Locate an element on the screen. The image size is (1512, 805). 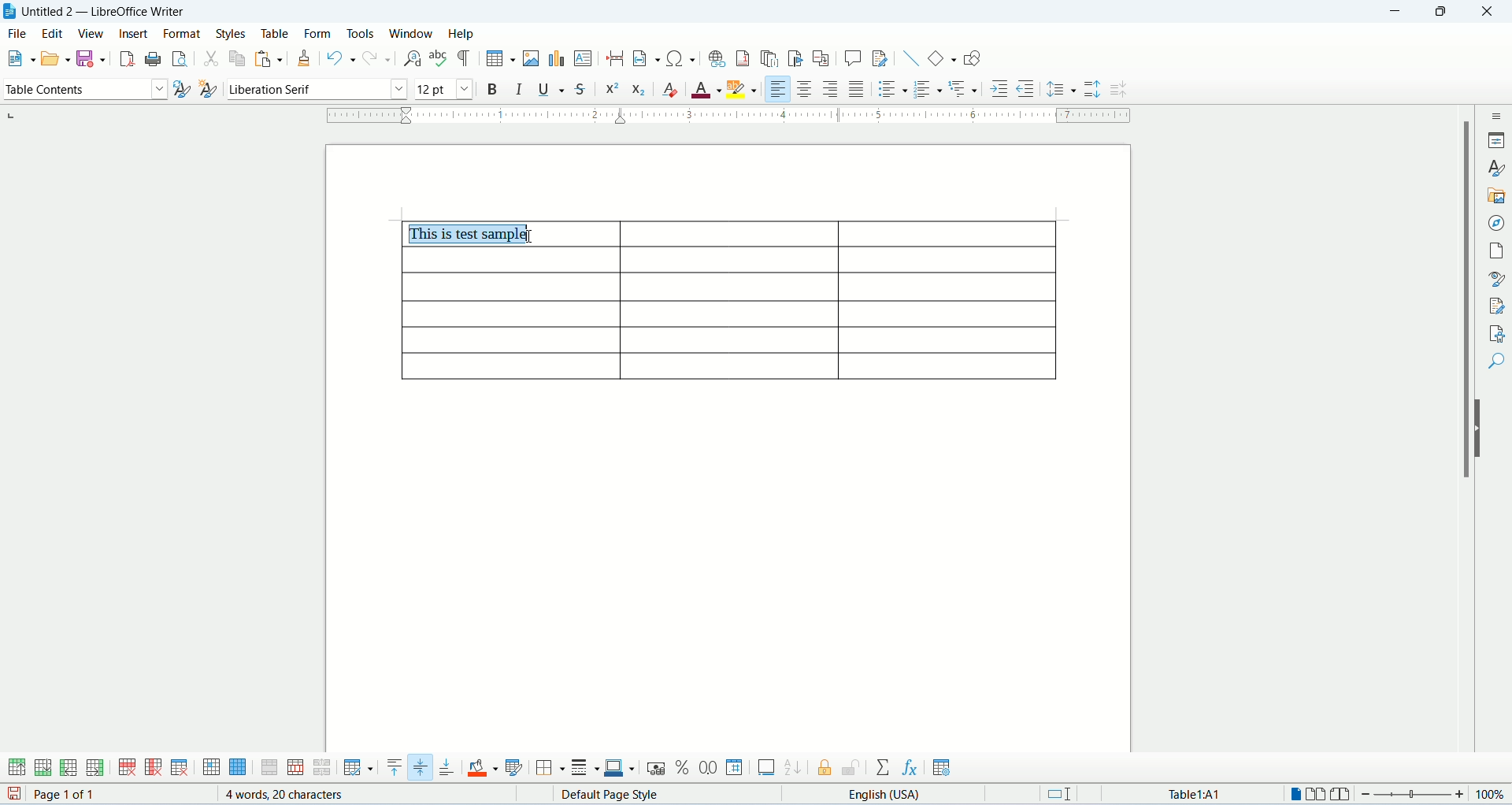
export as pdf is located at coordinates (127, 58).